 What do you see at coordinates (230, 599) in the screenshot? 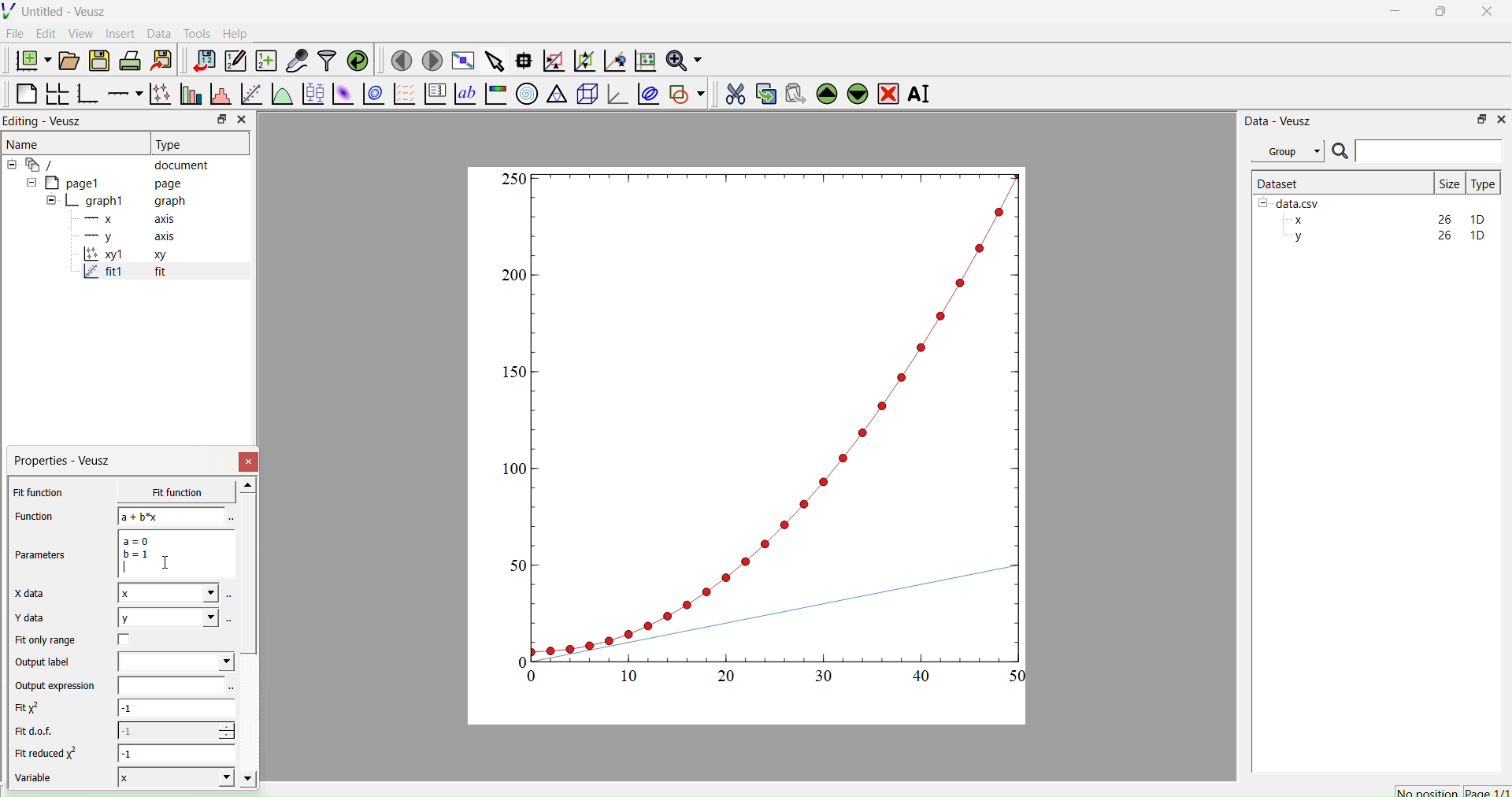
I see `Select using dataset browser` at bounding box center [230, 599].